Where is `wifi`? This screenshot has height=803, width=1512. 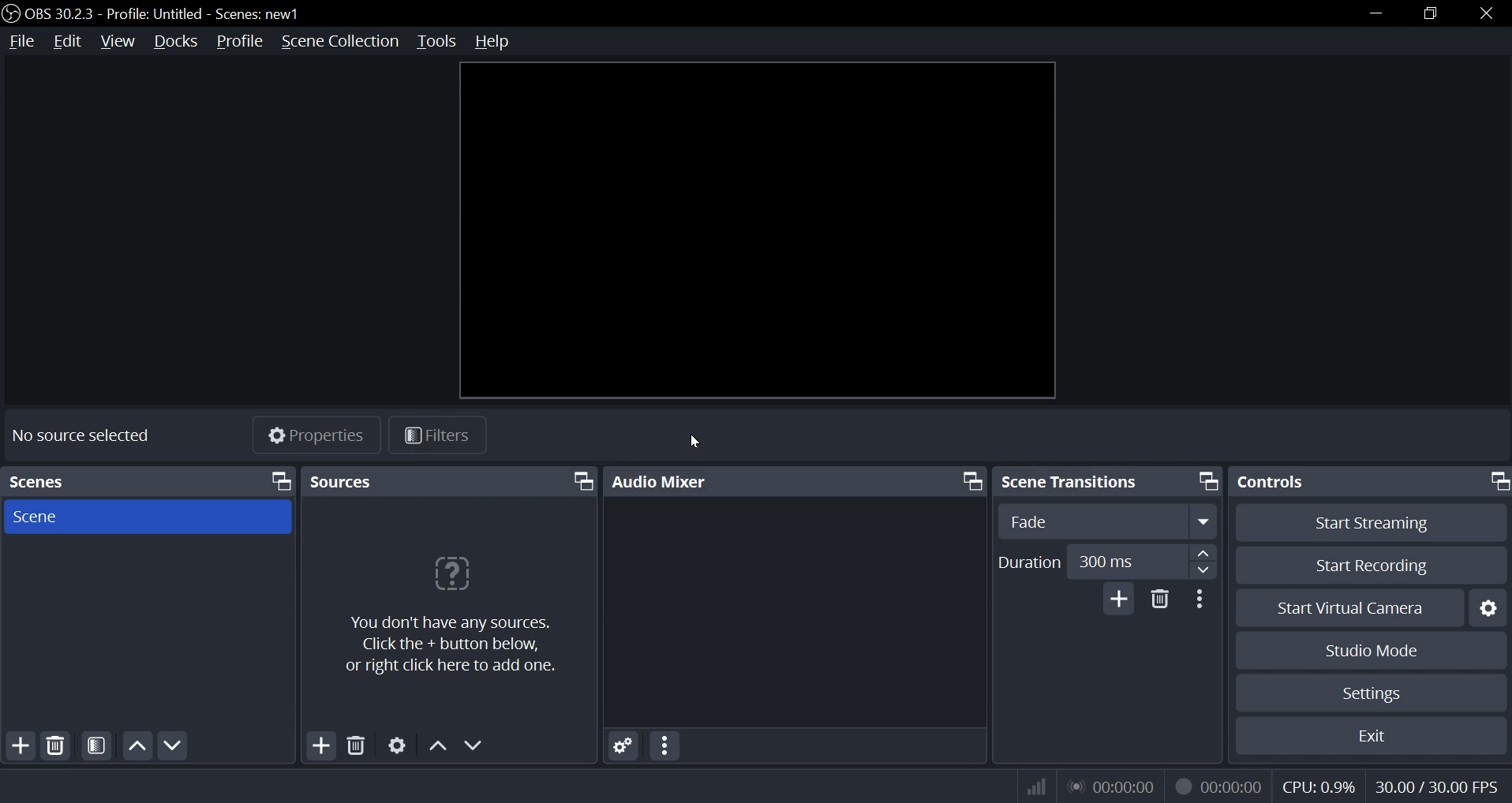
wifi is located at coordinates (1029, 786).